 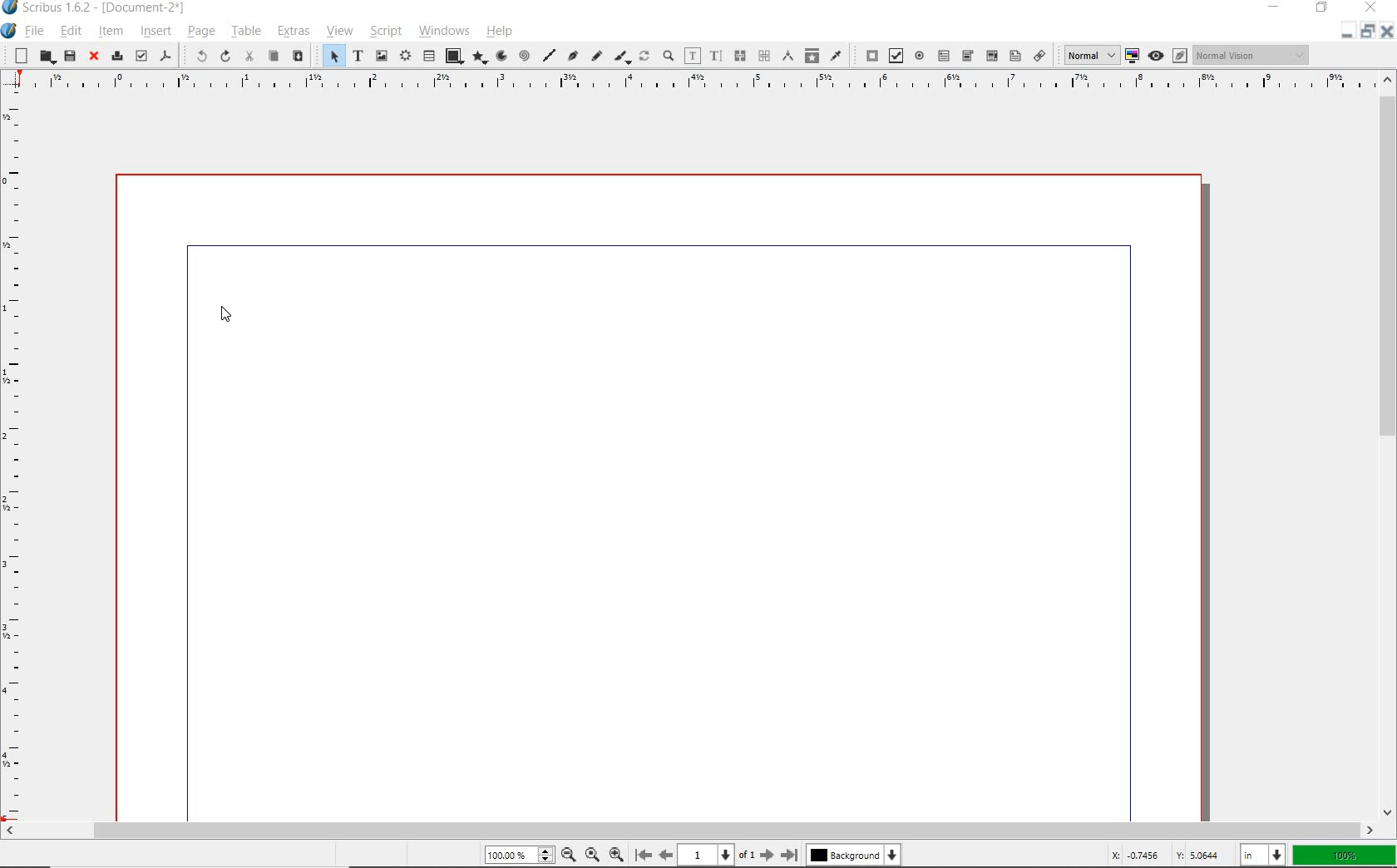 What do you see at coordinates (812, 55) in the screenshot?
I see `copy item properties` at bounding box center [812, 55].